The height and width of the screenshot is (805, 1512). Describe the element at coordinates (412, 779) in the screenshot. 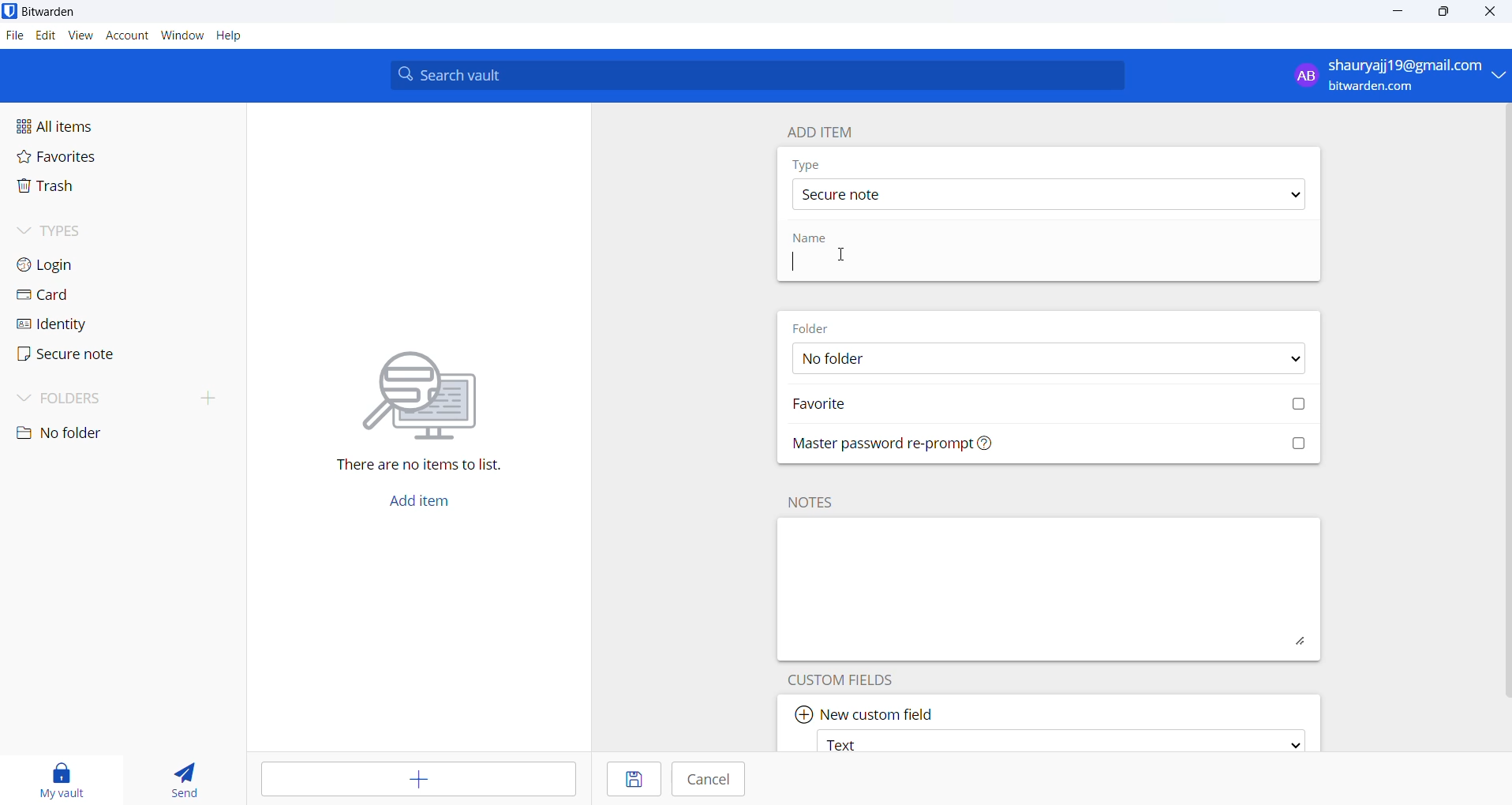

I see `add` at that location.